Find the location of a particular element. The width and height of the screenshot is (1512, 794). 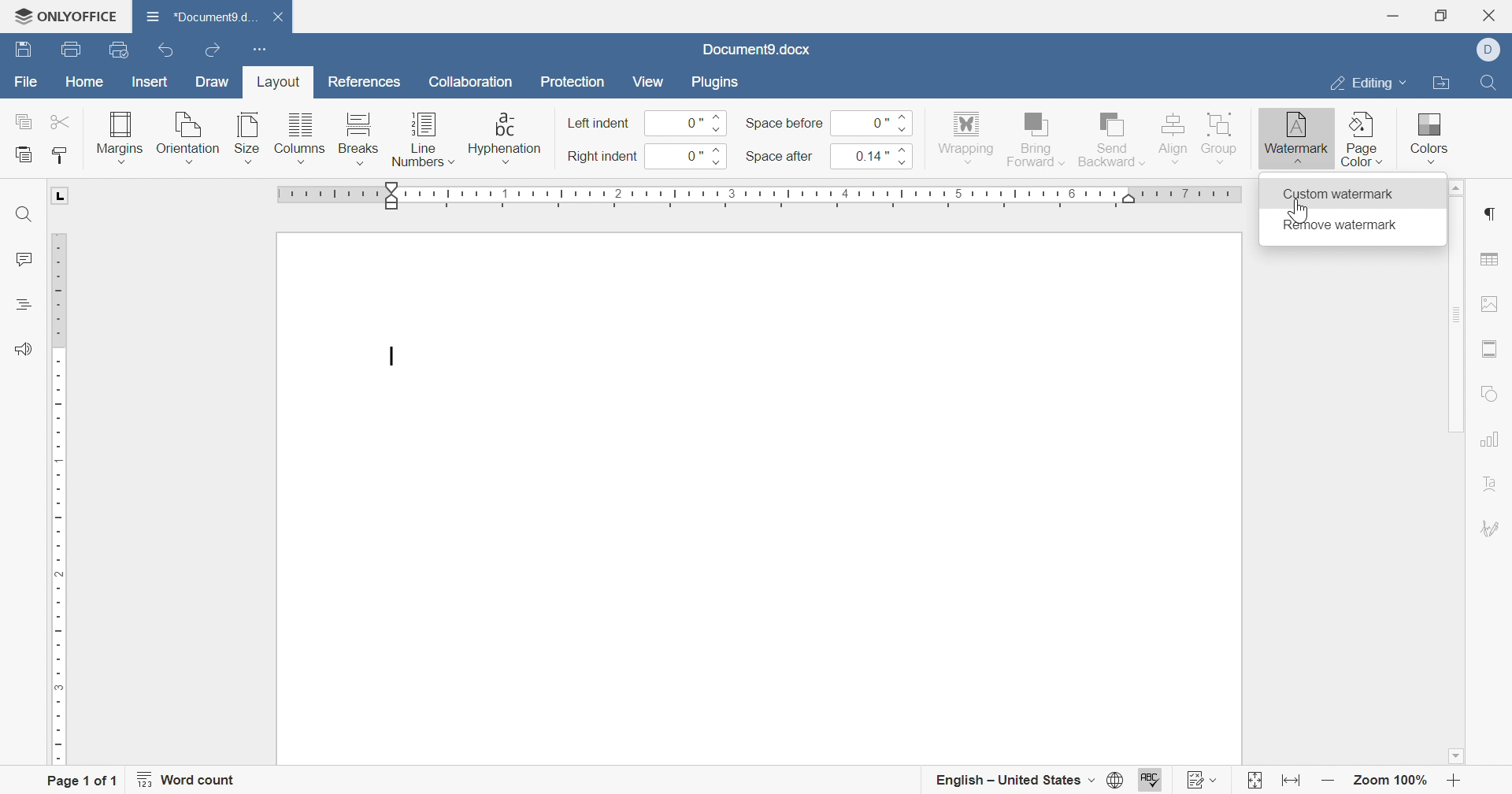

typing cursor is located at coordinates (391, 358).